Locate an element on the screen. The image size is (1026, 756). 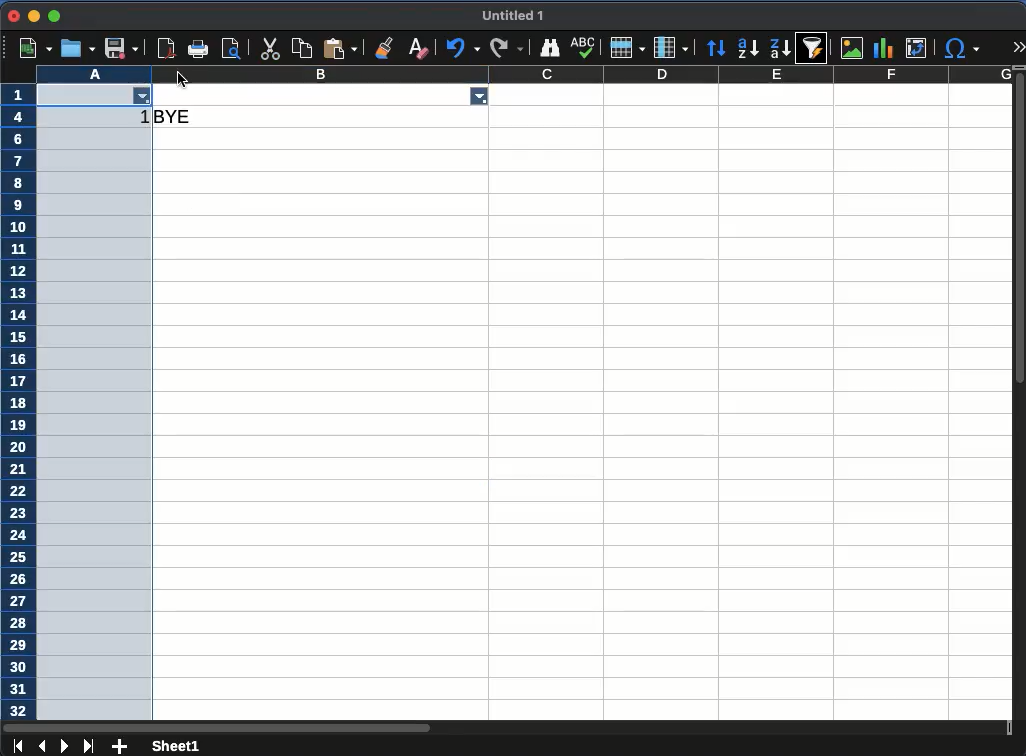
sort is located at coordinates (717, 50).